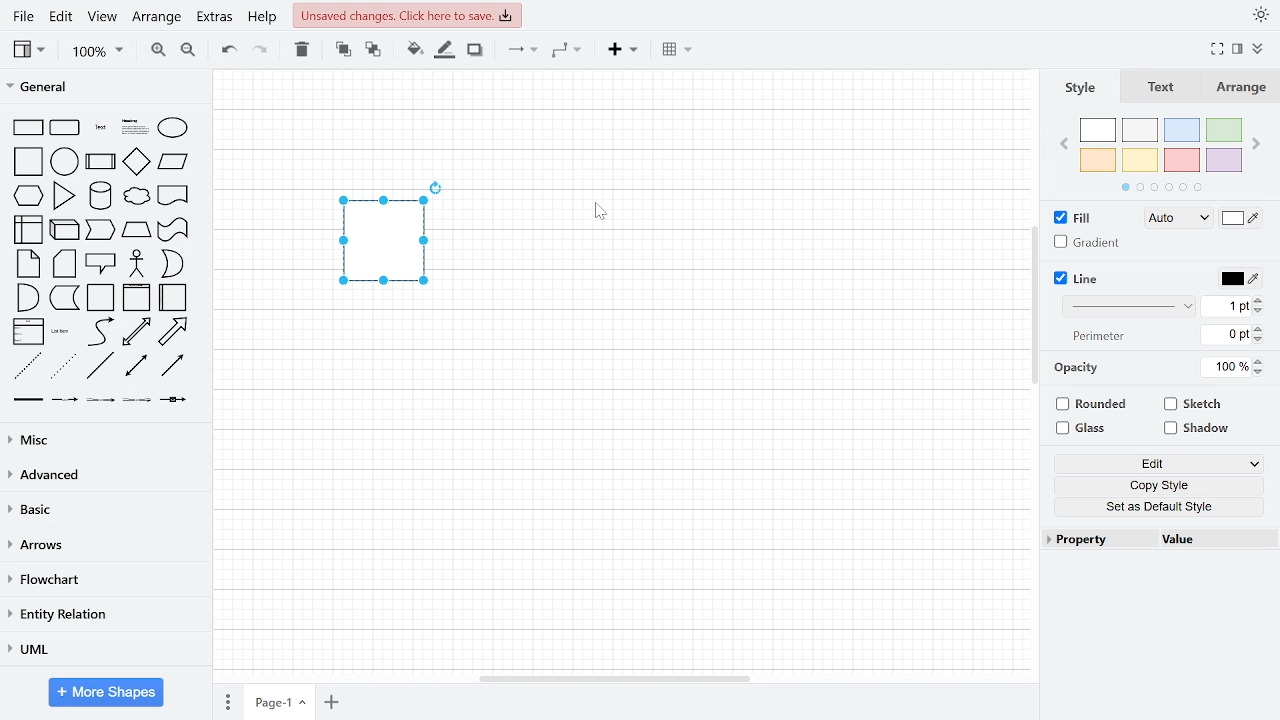 This screenshot has width=1280, height=720. What do you see at coordinates (569, 51) in the screenshot?
I see `waypoints` at bounding box center [569, 51].